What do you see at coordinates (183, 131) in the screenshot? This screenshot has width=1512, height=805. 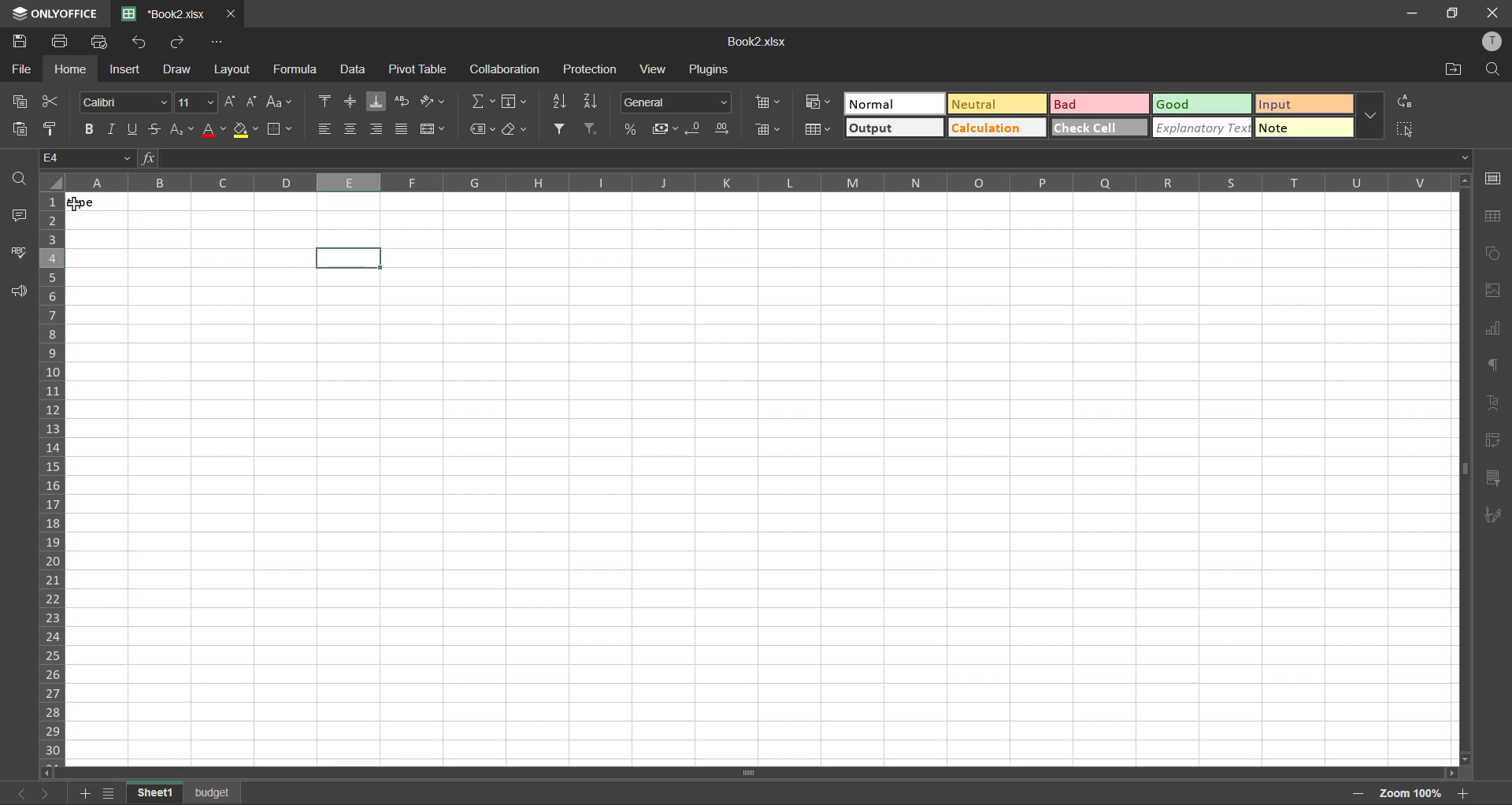 I see `sub/superscript` at bounding box center [183, 131].